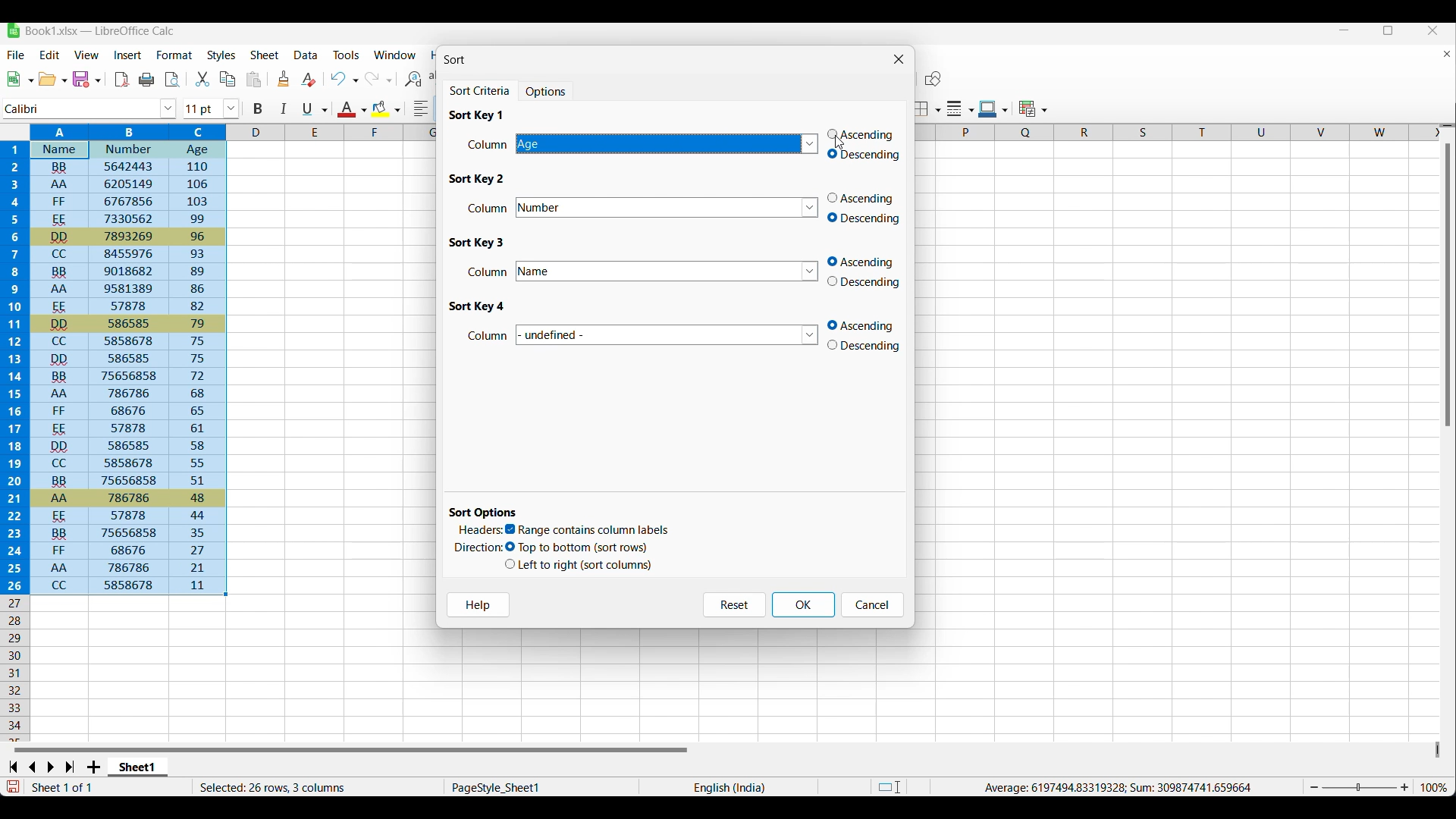 Image resolution: width=1456 pixels, height=819 pixels. I want to click on Go to first sheet, so click(12, 767).